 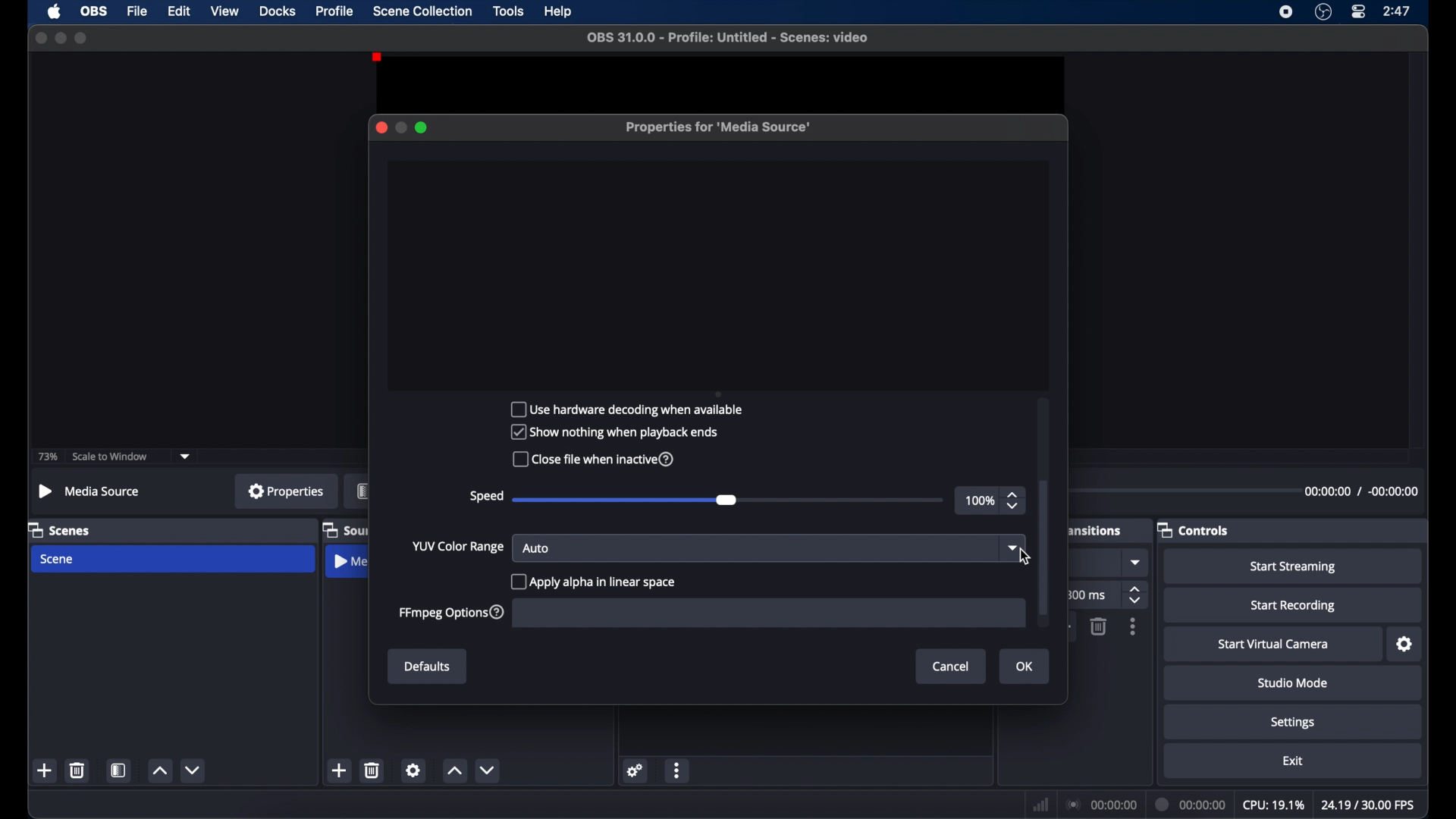 I want to click on settings, so click(x=1404, y=645).